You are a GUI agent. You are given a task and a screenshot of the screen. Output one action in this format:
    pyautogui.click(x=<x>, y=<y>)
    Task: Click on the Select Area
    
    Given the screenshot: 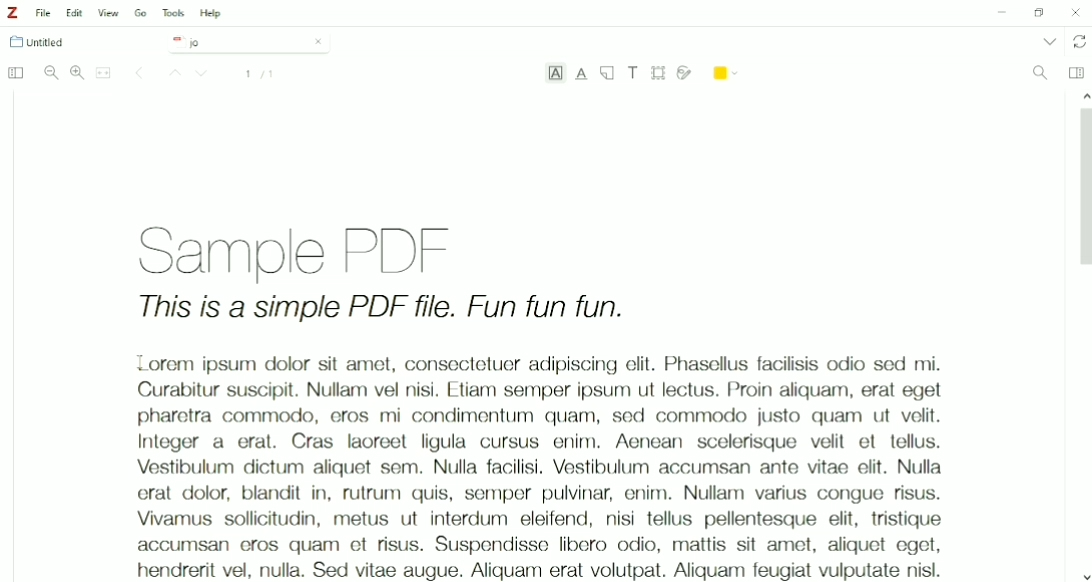 What is the action you would take?
    pyautogui.click(x=659, y=72)
    